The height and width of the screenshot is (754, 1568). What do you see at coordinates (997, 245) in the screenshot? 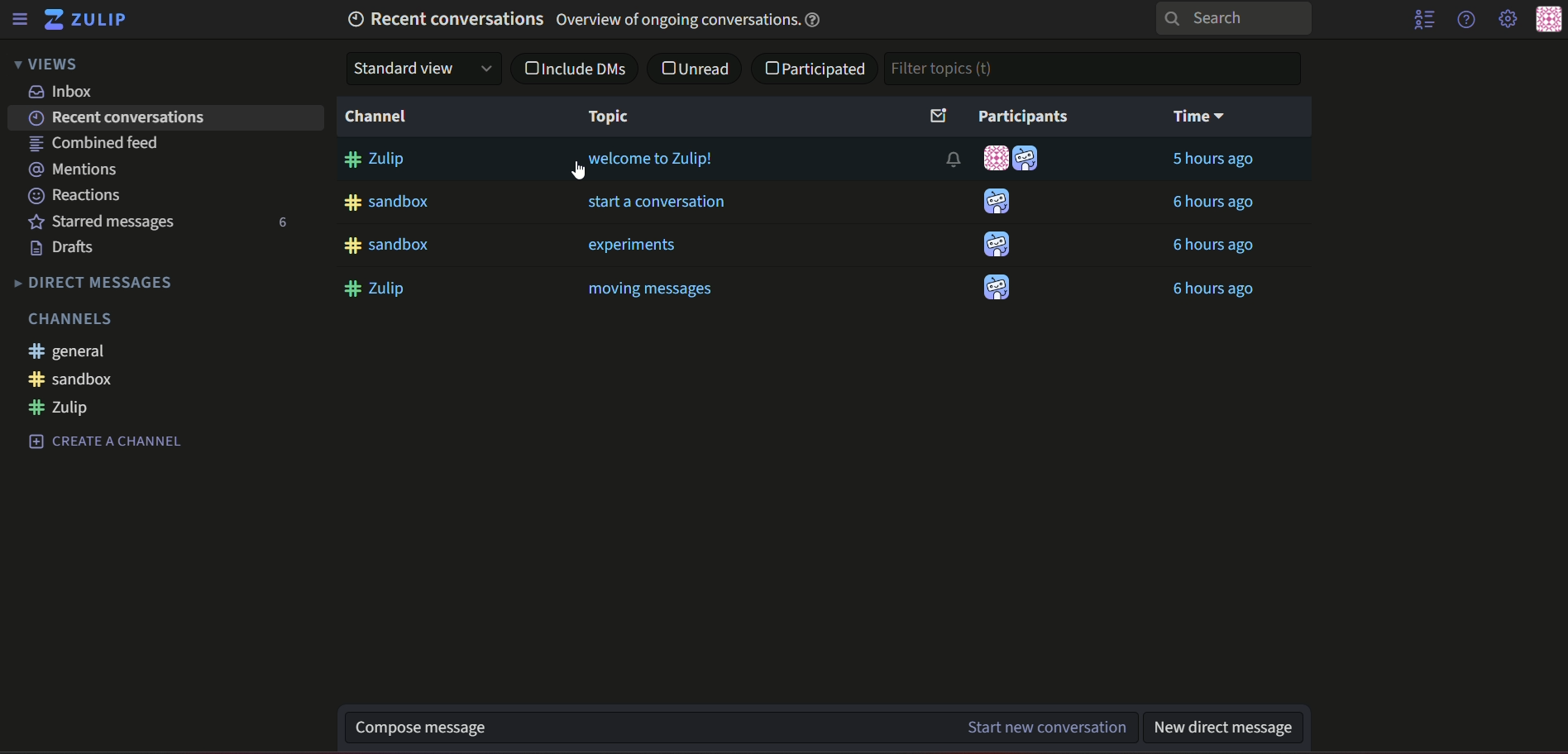
I see `icon` at bounding box center [997, 245].